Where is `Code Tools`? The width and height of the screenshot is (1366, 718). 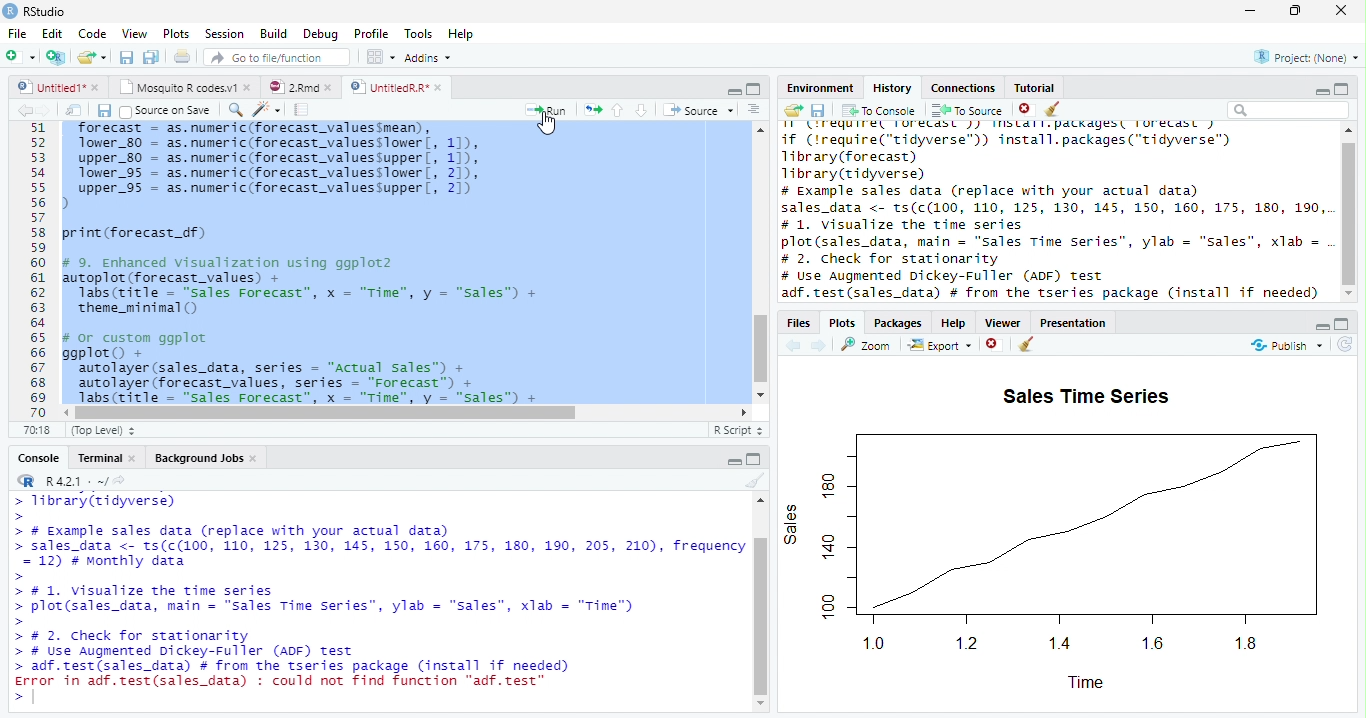 Code Tools is located at coordinates (263, 109).